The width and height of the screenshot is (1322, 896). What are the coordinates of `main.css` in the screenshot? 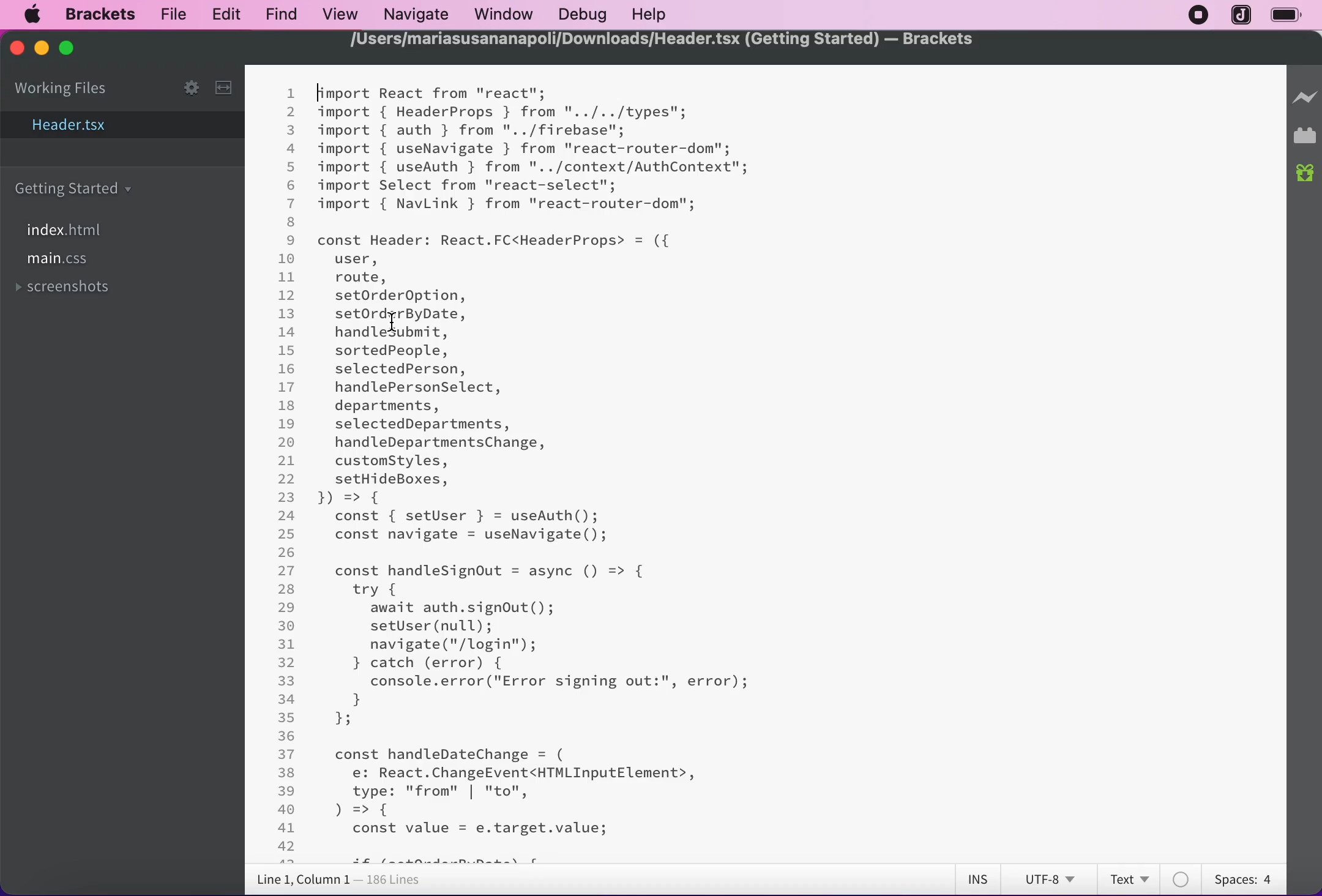 It's located at (58, 257).